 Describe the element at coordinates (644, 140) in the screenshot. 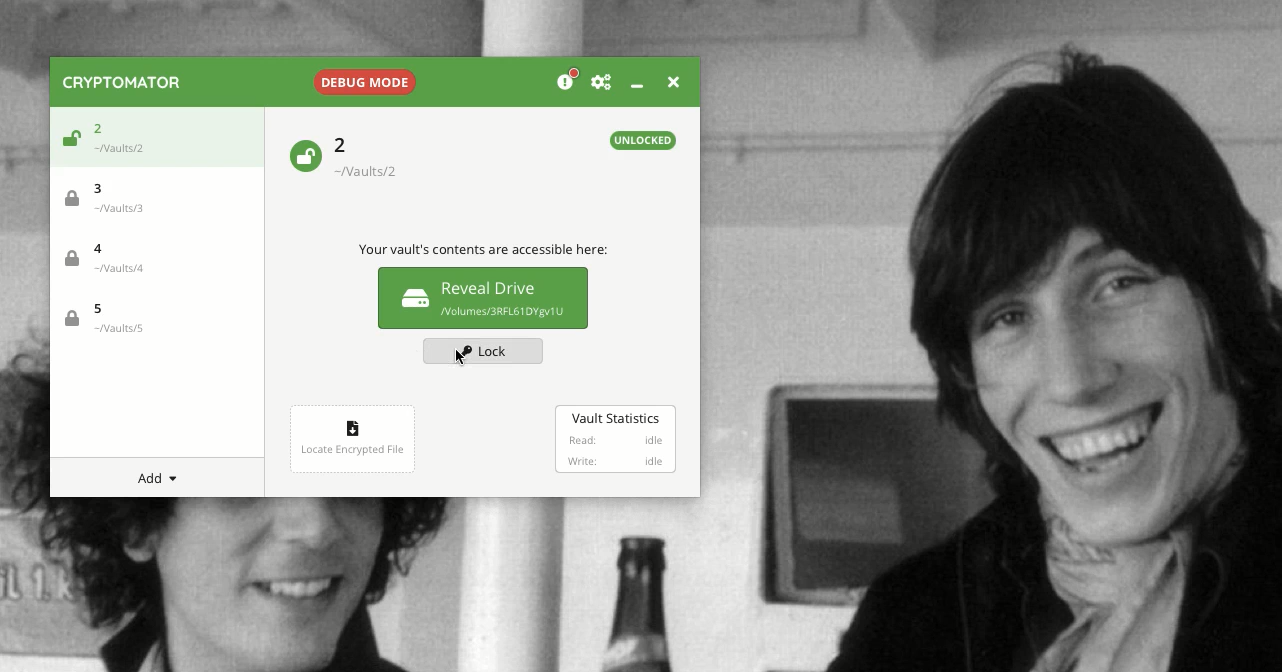

I see `Unlocked` at that location.